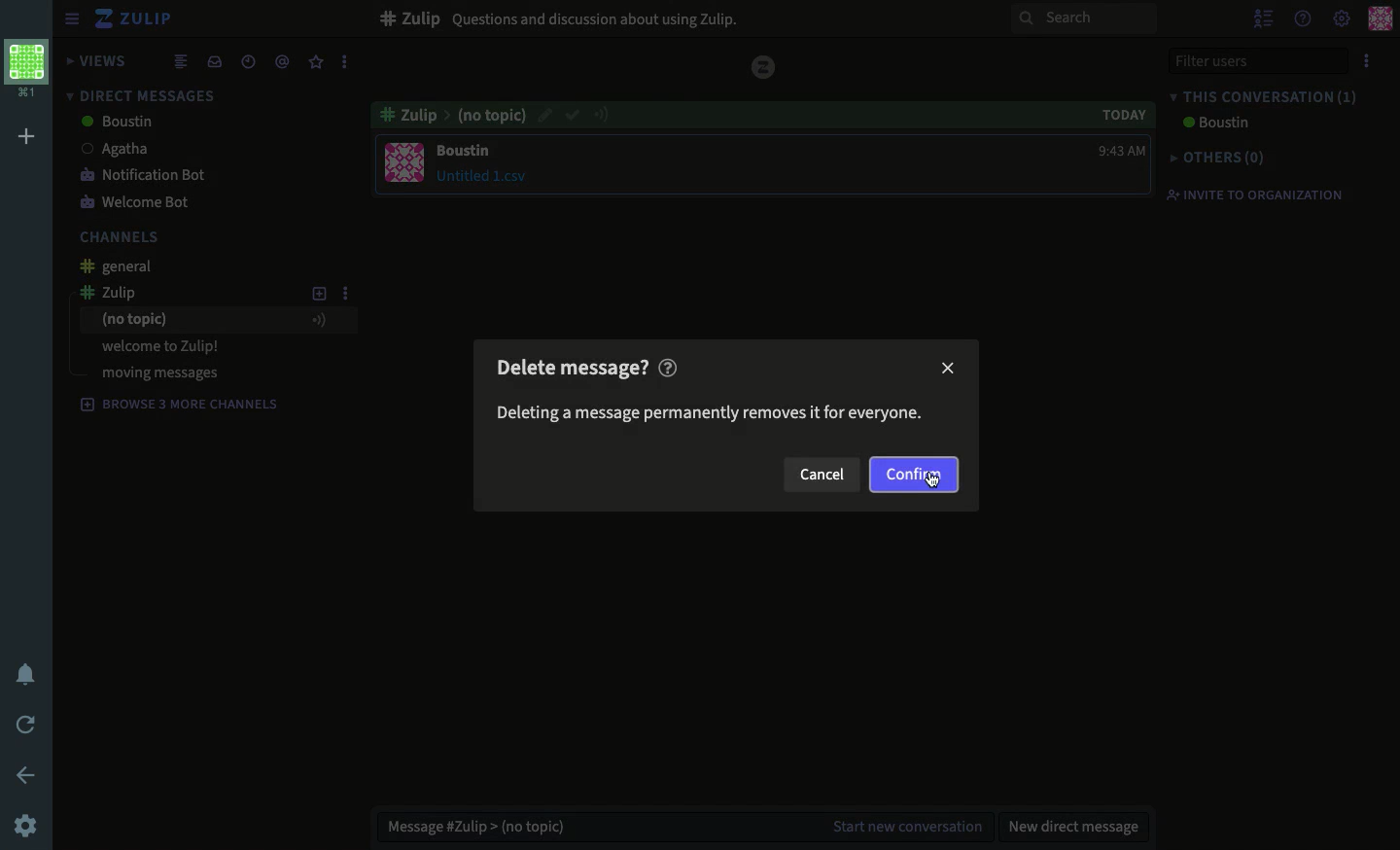 This screenshot has width=1400, height=850. What do you see at coordinates (214, 61) in the screenshot?
I see `inbox` at bounding box center [214, 61].